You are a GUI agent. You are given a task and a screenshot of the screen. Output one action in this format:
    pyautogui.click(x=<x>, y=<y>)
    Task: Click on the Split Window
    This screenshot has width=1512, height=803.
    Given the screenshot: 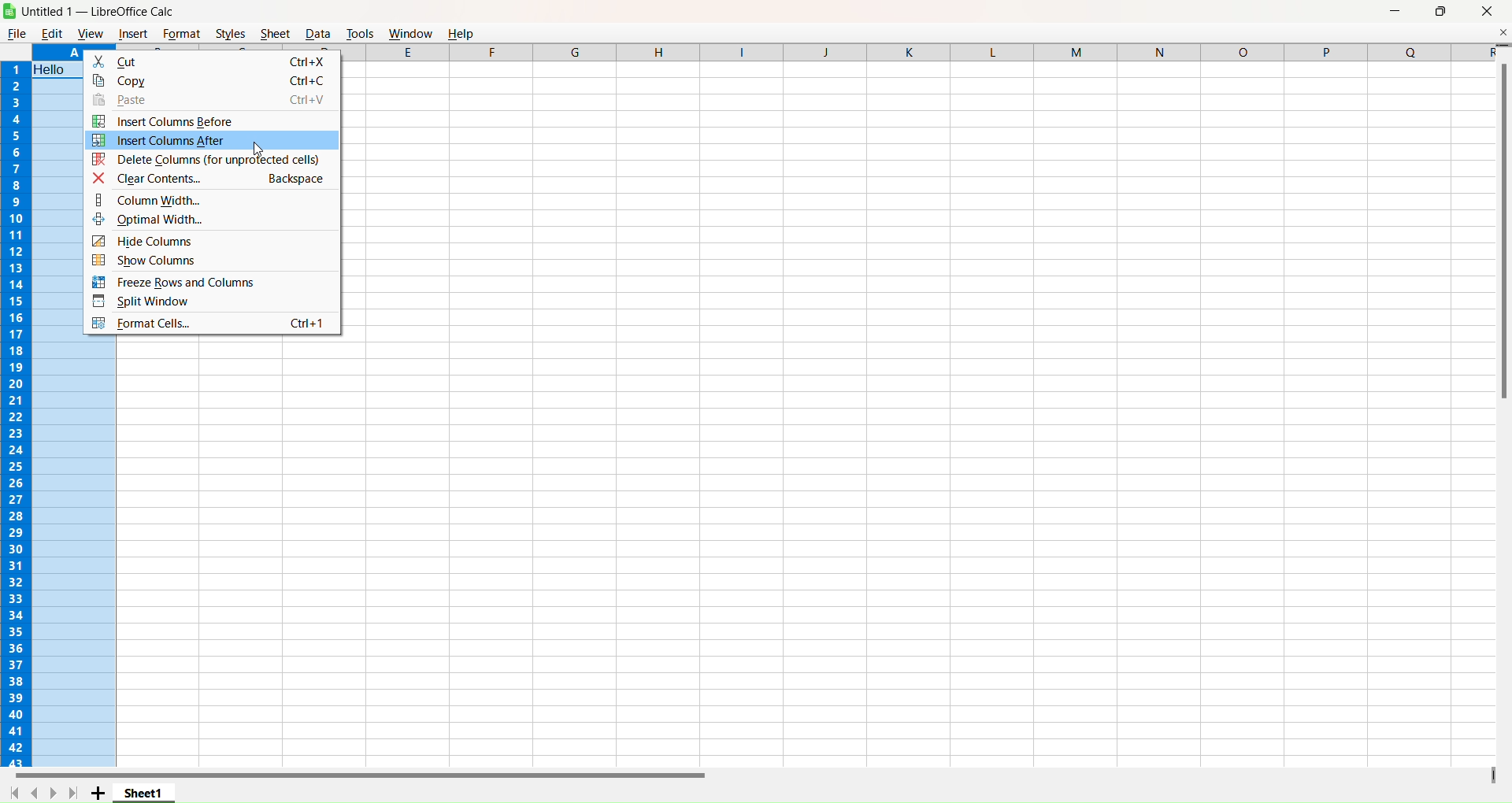 What is the action you would take?
    pyautogui.click(x=210, y=302)
    